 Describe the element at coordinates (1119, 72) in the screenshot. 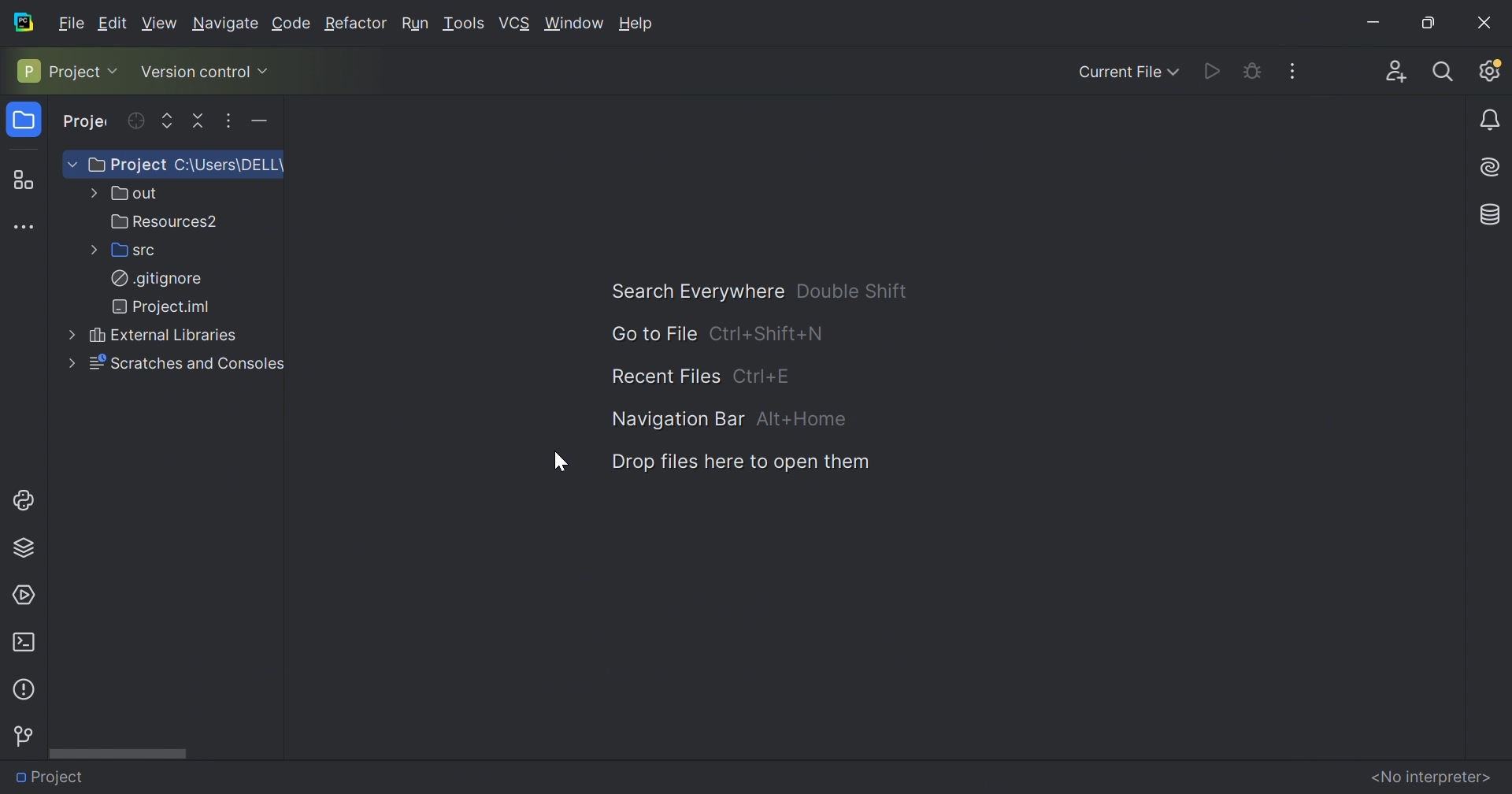

I see `Current File` at that location.